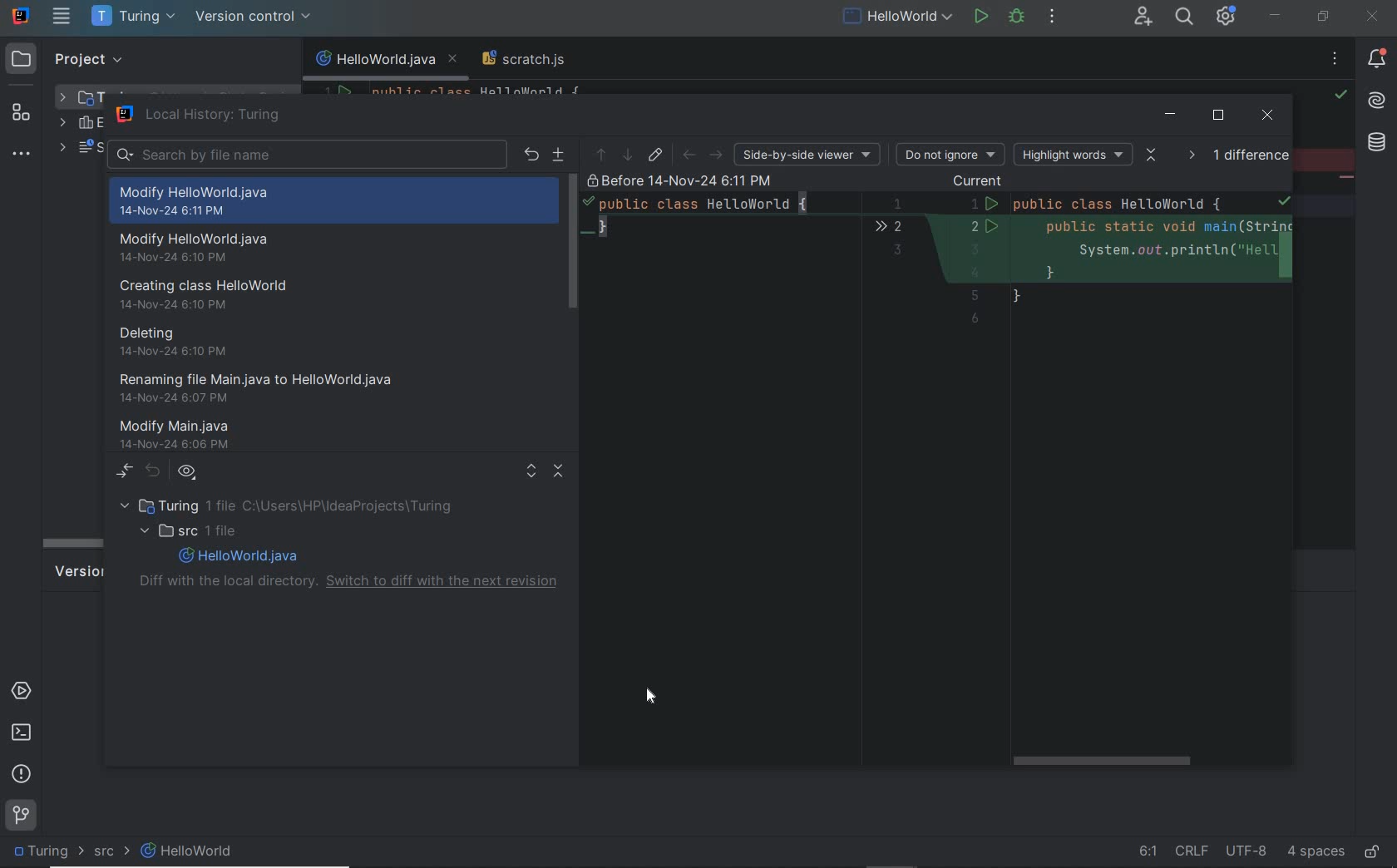  What do you see at coordinates (603, 152) in the screenshot?
I see `previous difference` at bounding box center [603, 152].